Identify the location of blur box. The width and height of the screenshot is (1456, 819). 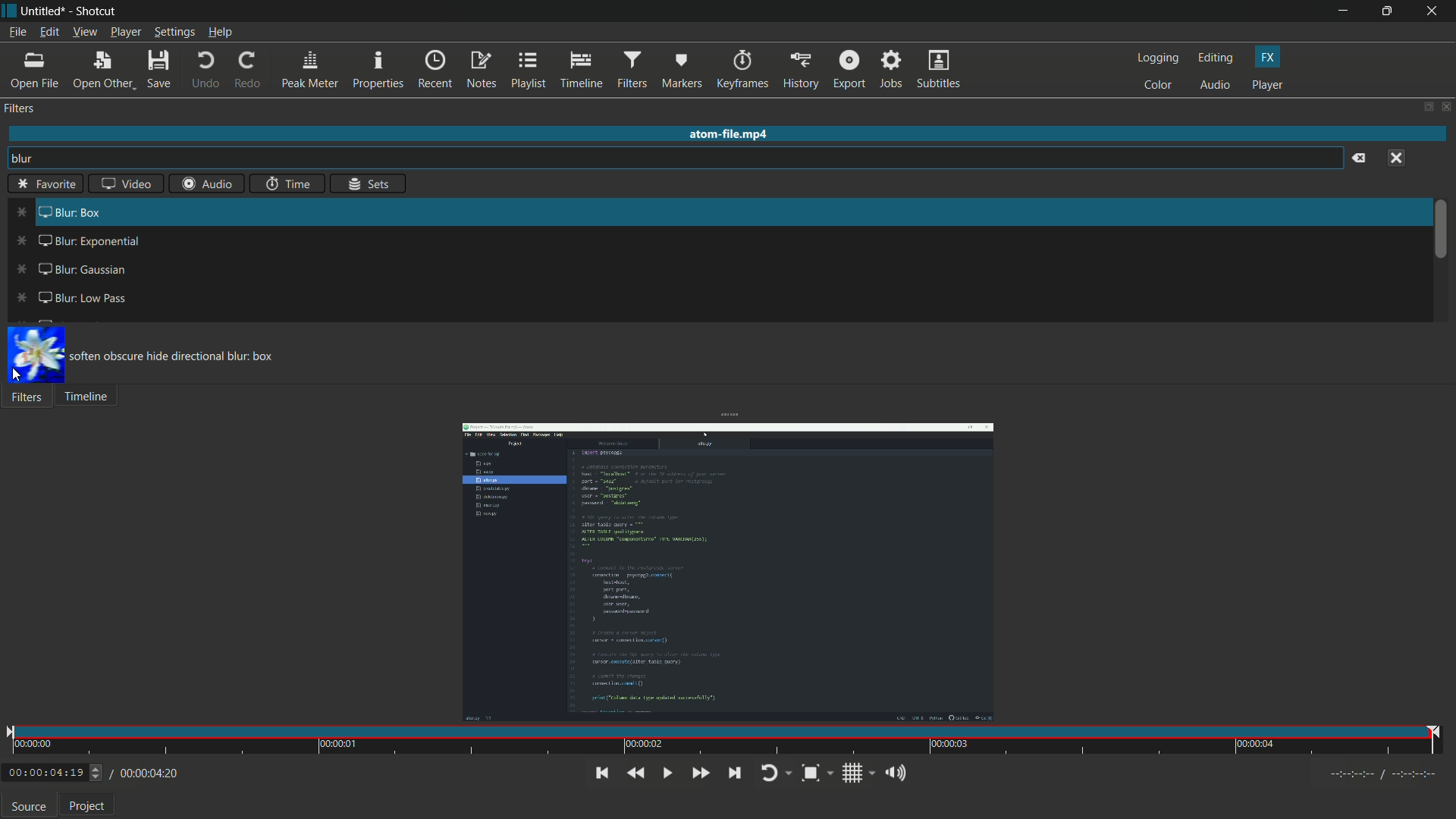
(58, 211).